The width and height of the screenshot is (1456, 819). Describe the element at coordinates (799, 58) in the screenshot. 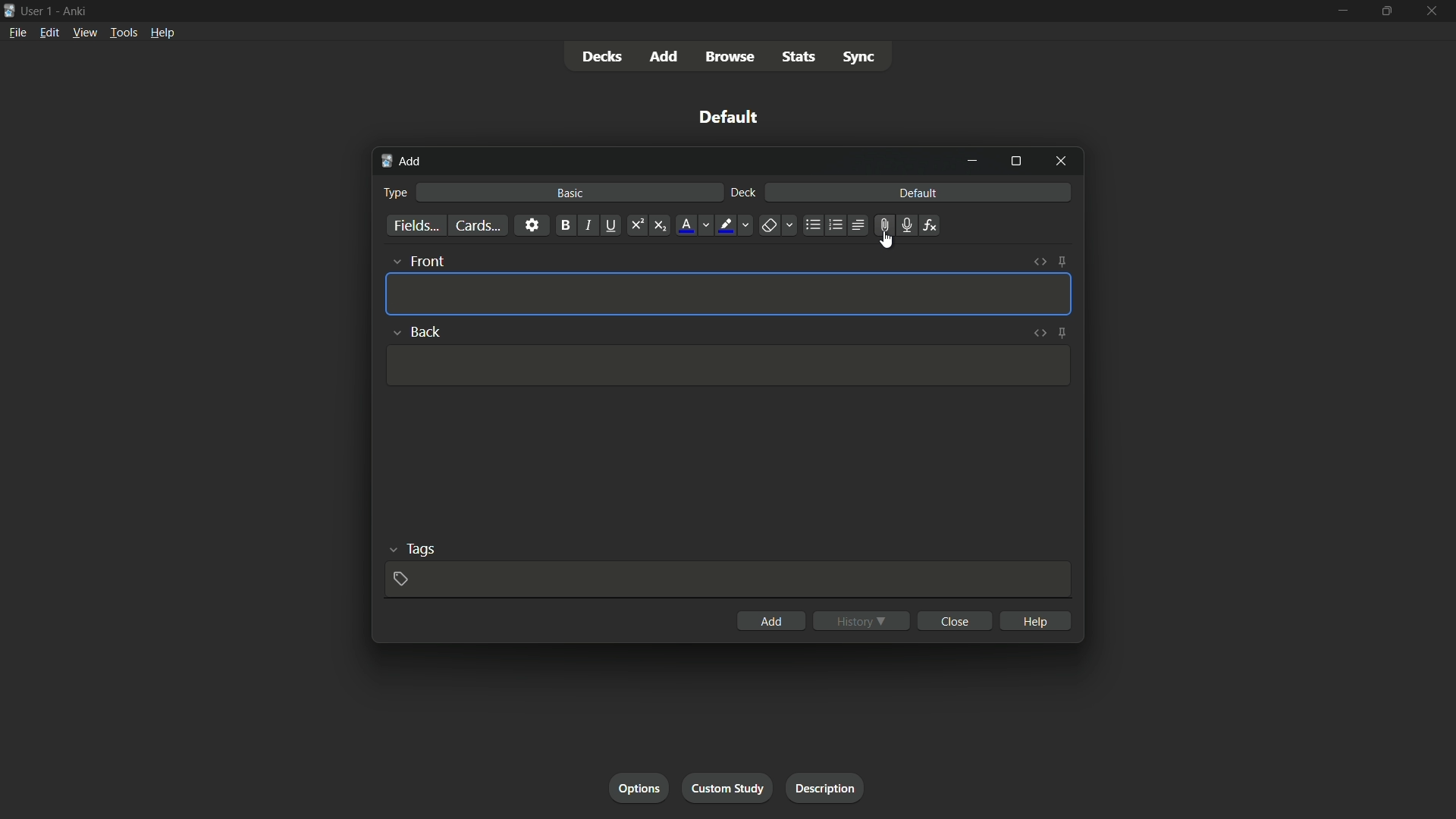

I see `stats` at that location.